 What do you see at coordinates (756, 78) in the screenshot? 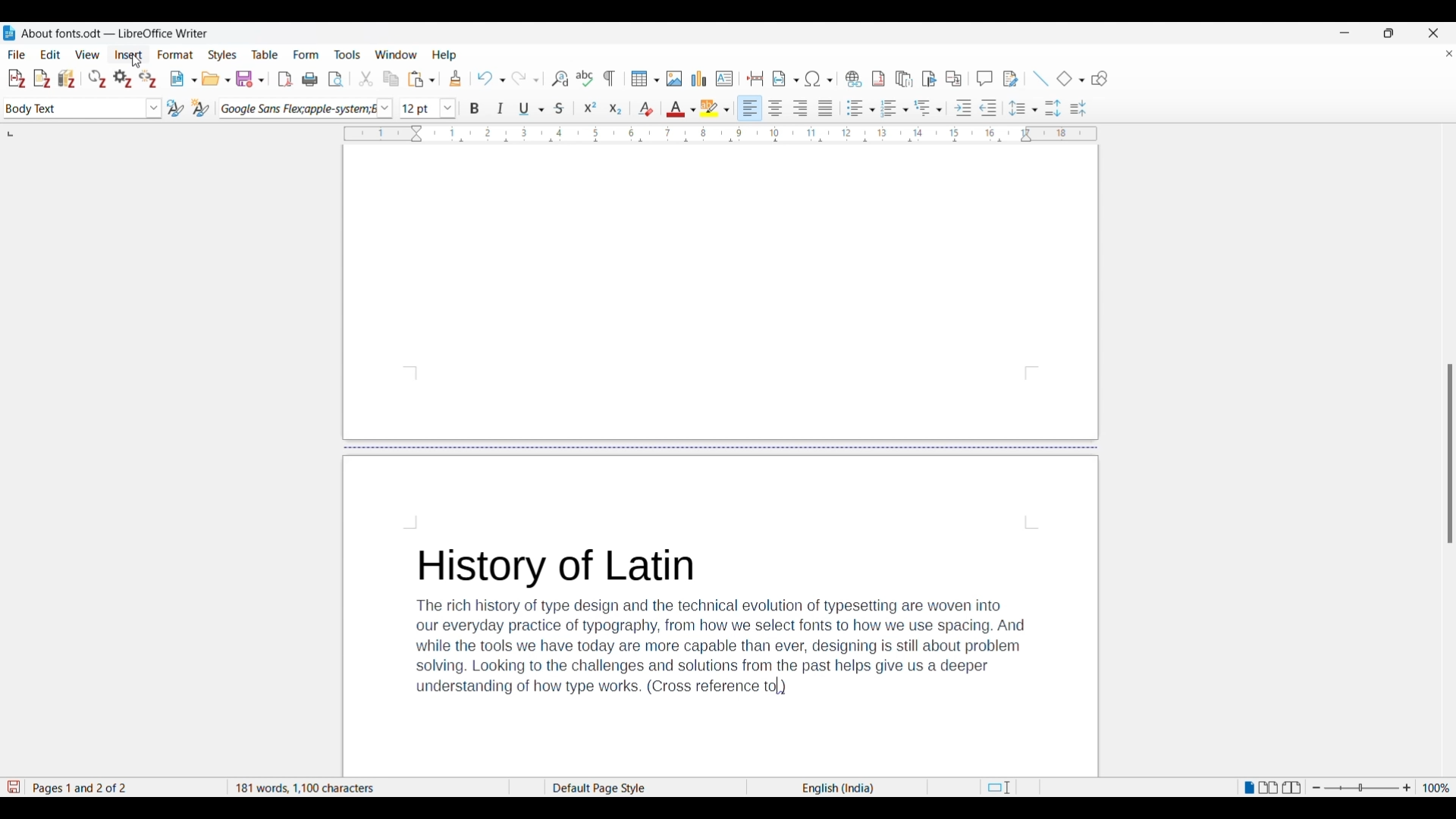
I see `Insert page break` at bounding box center [756, 78].